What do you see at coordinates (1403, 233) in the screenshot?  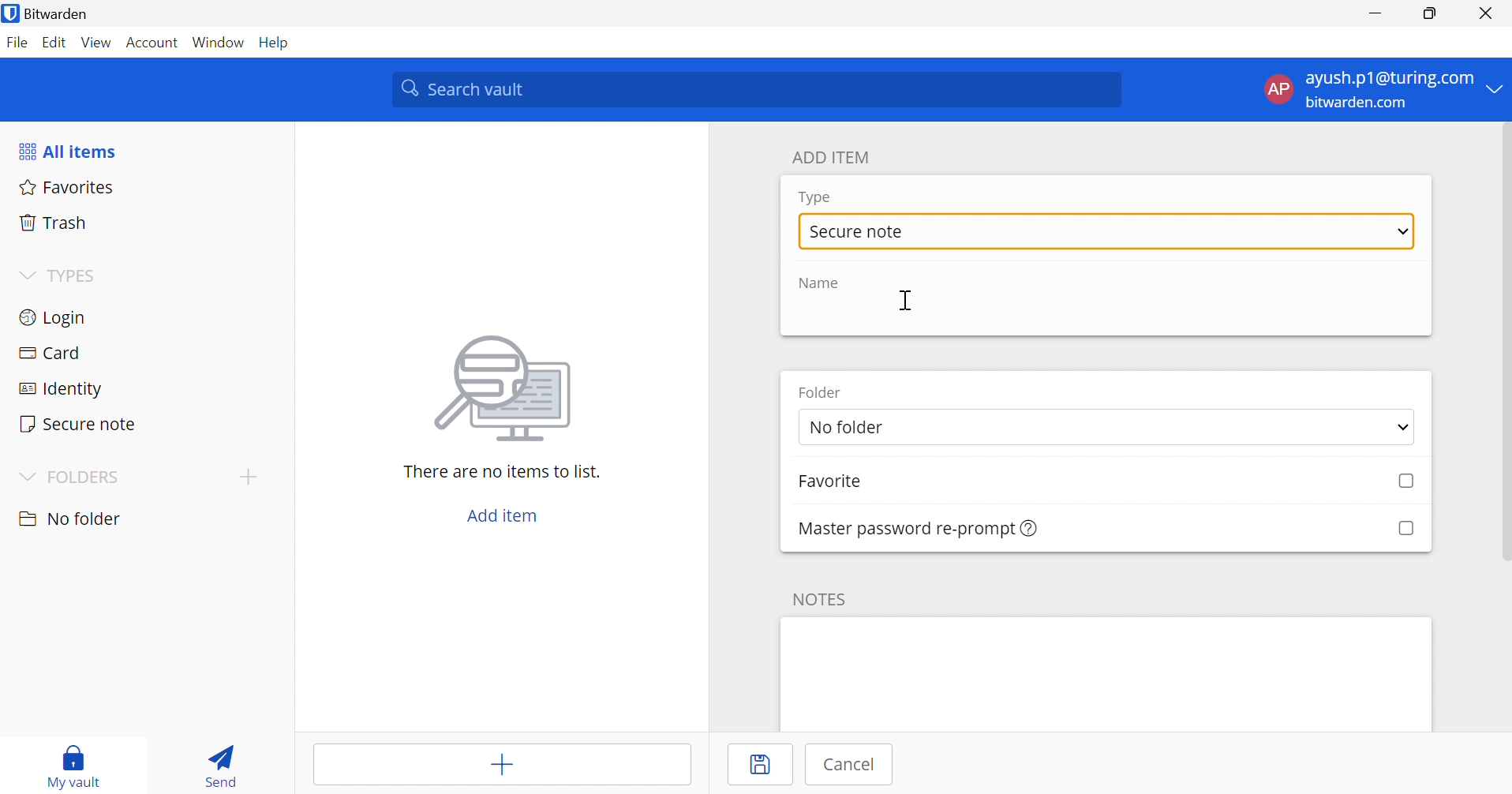 I see `Drop Down` at bounding box center [1403, 233].